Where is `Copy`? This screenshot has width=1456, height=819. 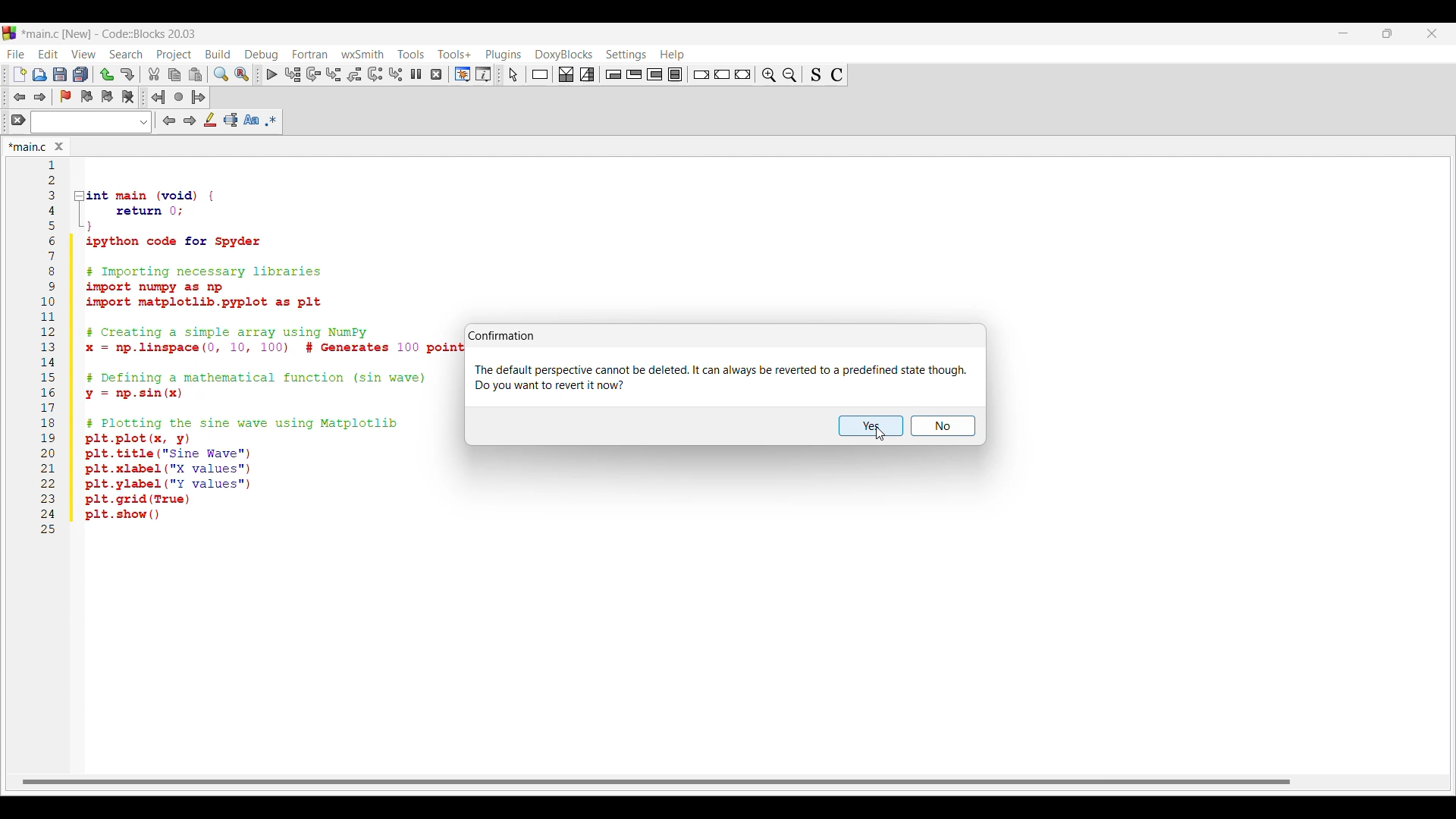 Copy is located at coordinates (175, 75).